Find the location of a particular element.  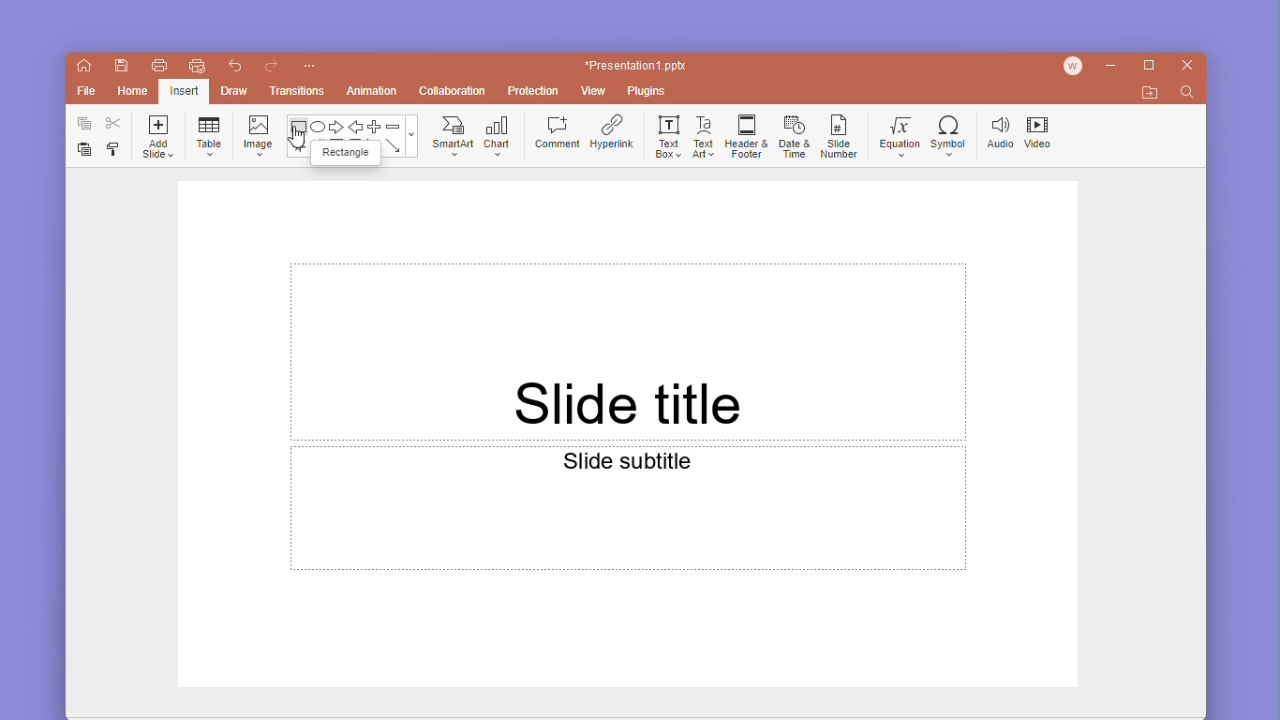

*Presentation1 ppt is located at coordinates (636, 65).